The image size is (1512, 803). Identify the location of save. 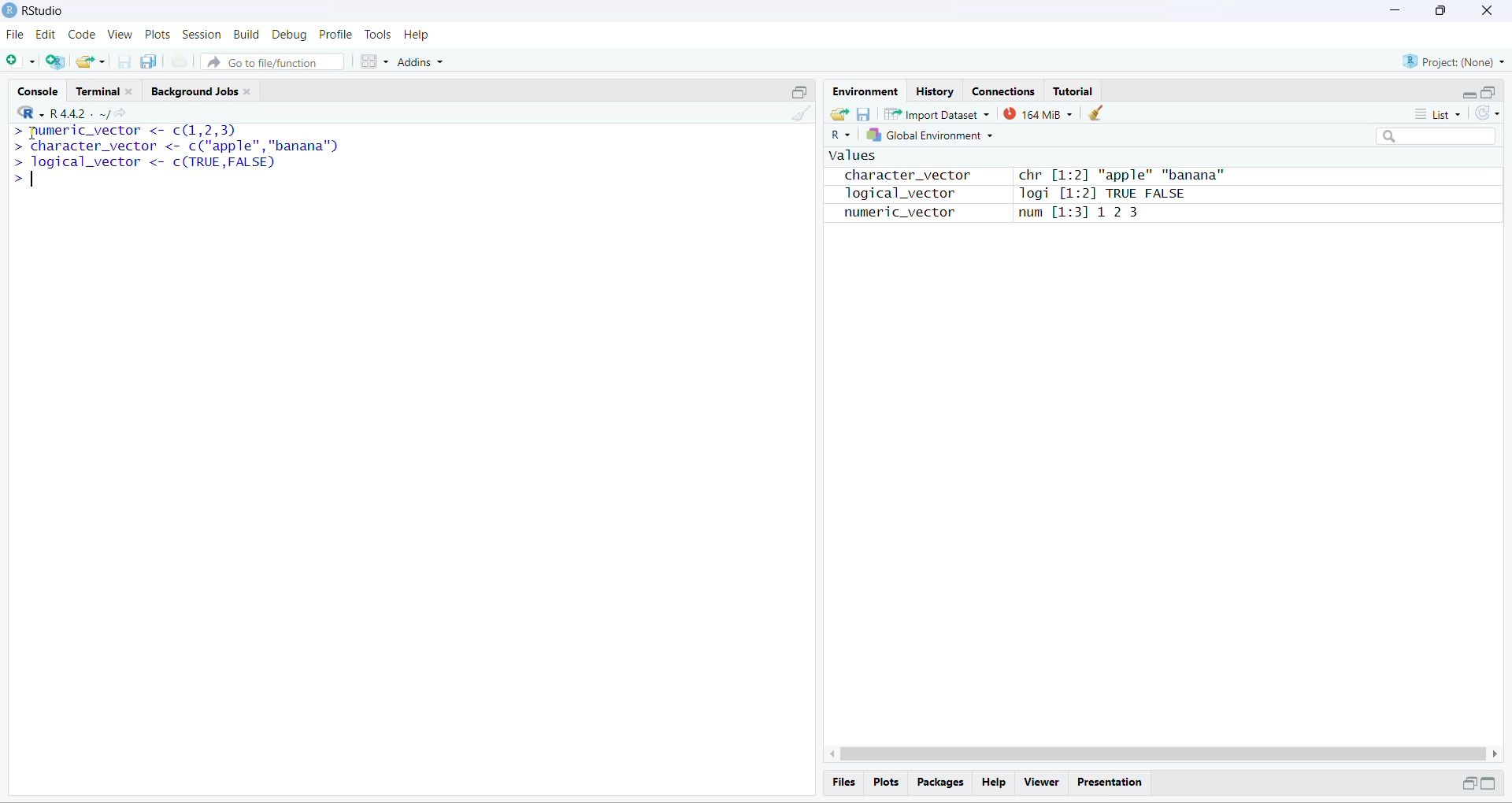
(862, 114).